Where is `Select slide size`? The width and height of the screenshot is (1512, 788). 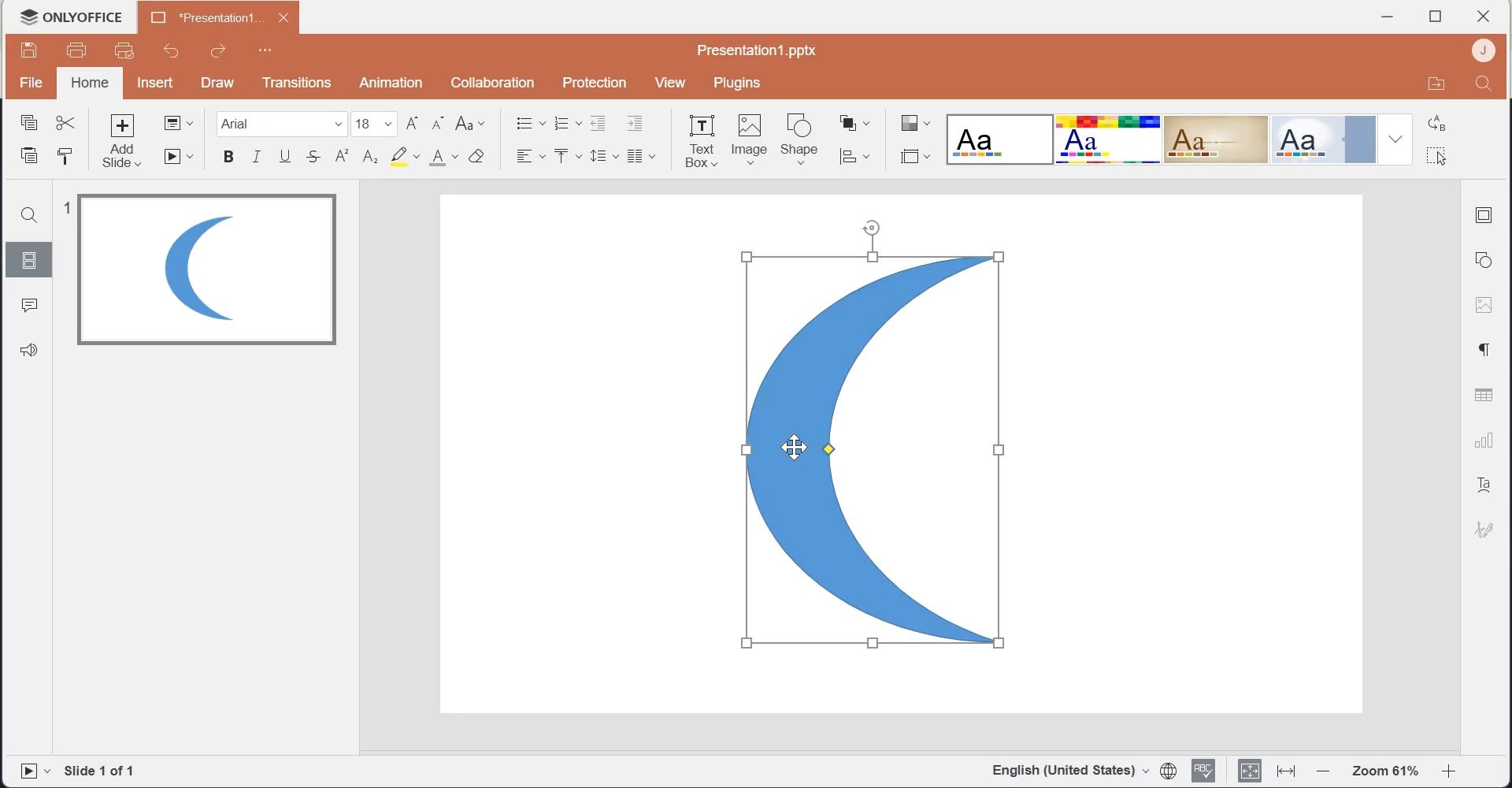 Select slide size is located at coordinates (914, 158).